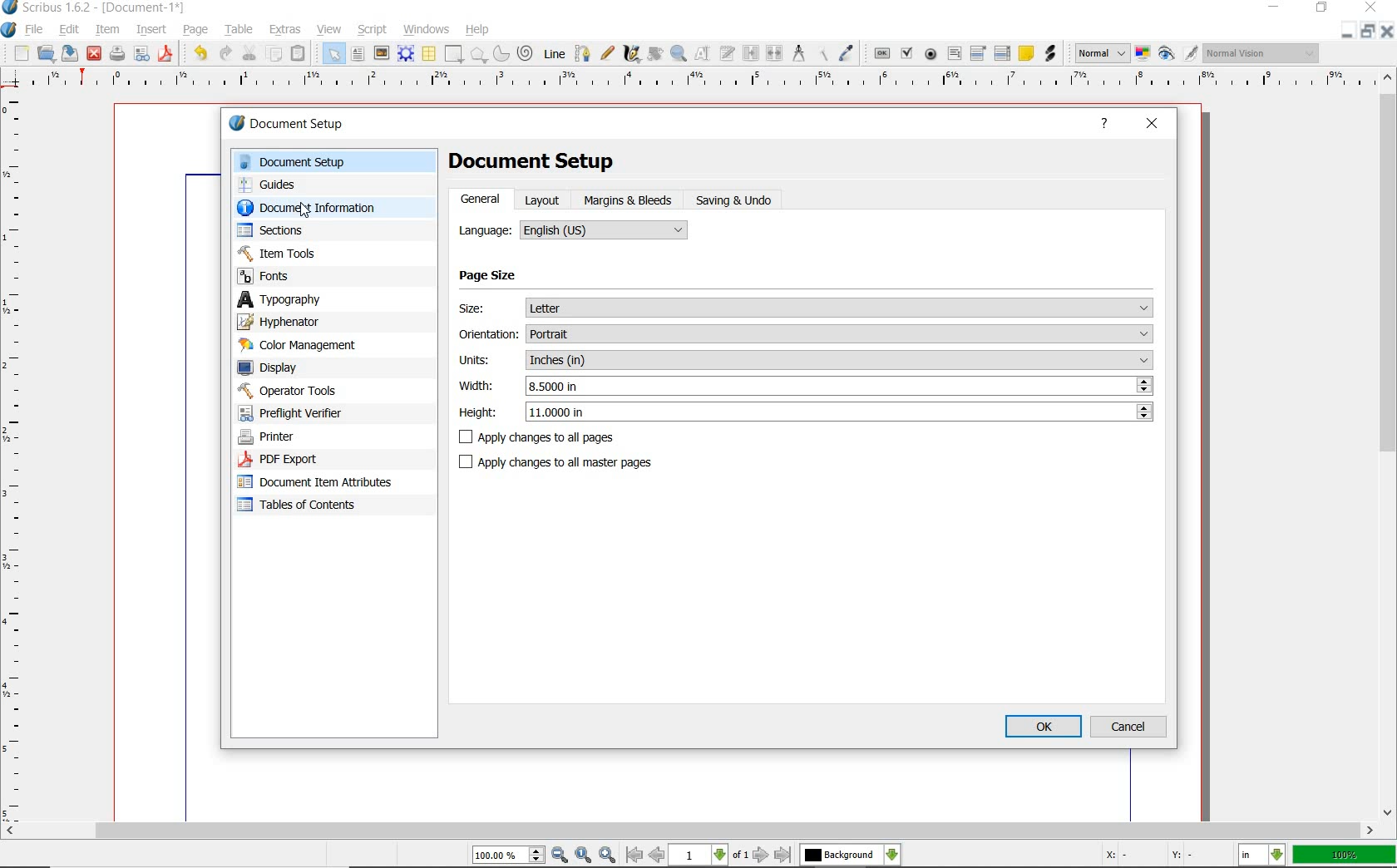 The image size is (1397, 868). Describe the element at coordinates (569, 461) in the screenshot. I see `apply changes to all master pages` at that location.